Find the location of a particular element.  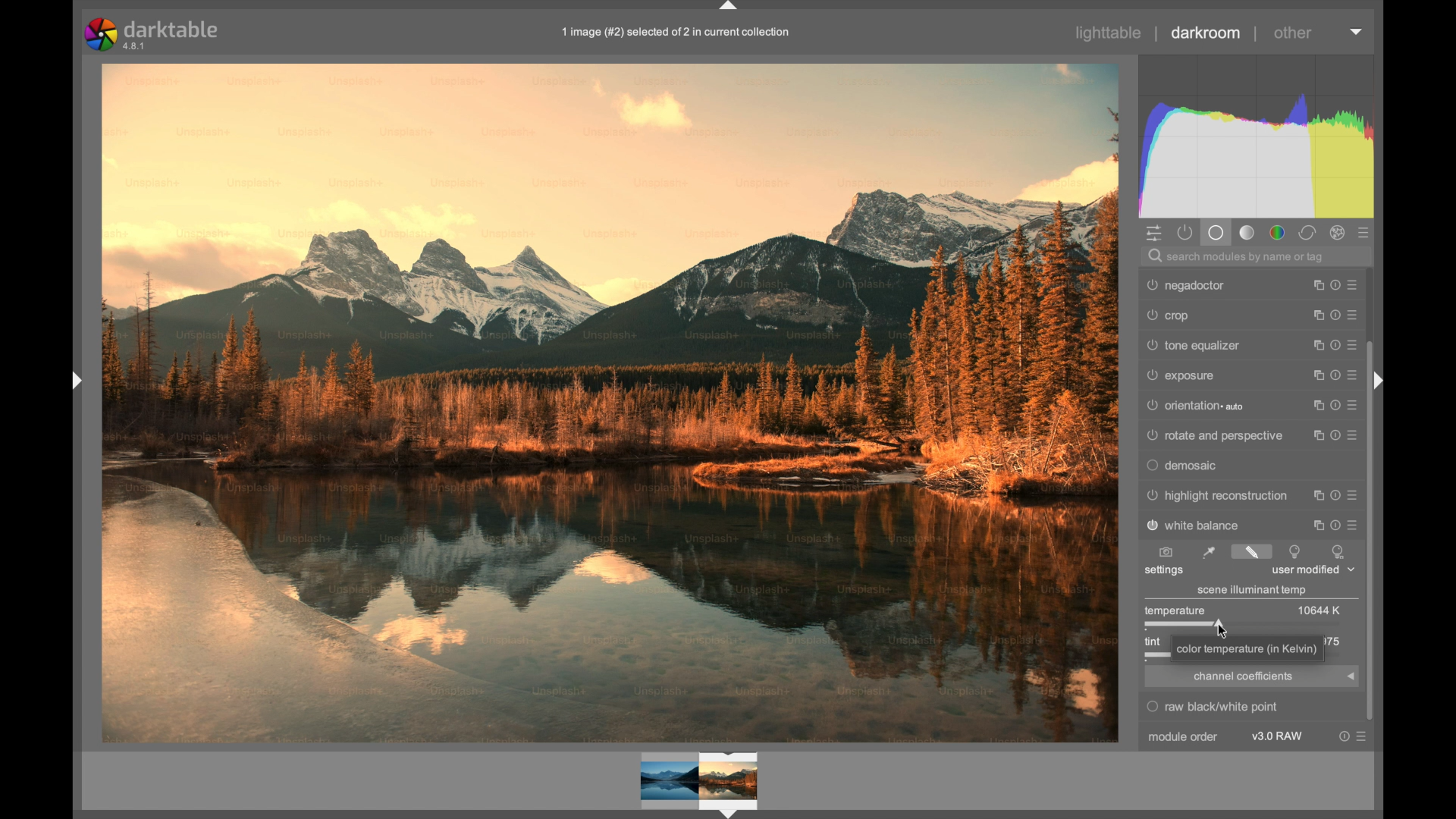

scene illuminant temp is located at coordinates (1252, 591).